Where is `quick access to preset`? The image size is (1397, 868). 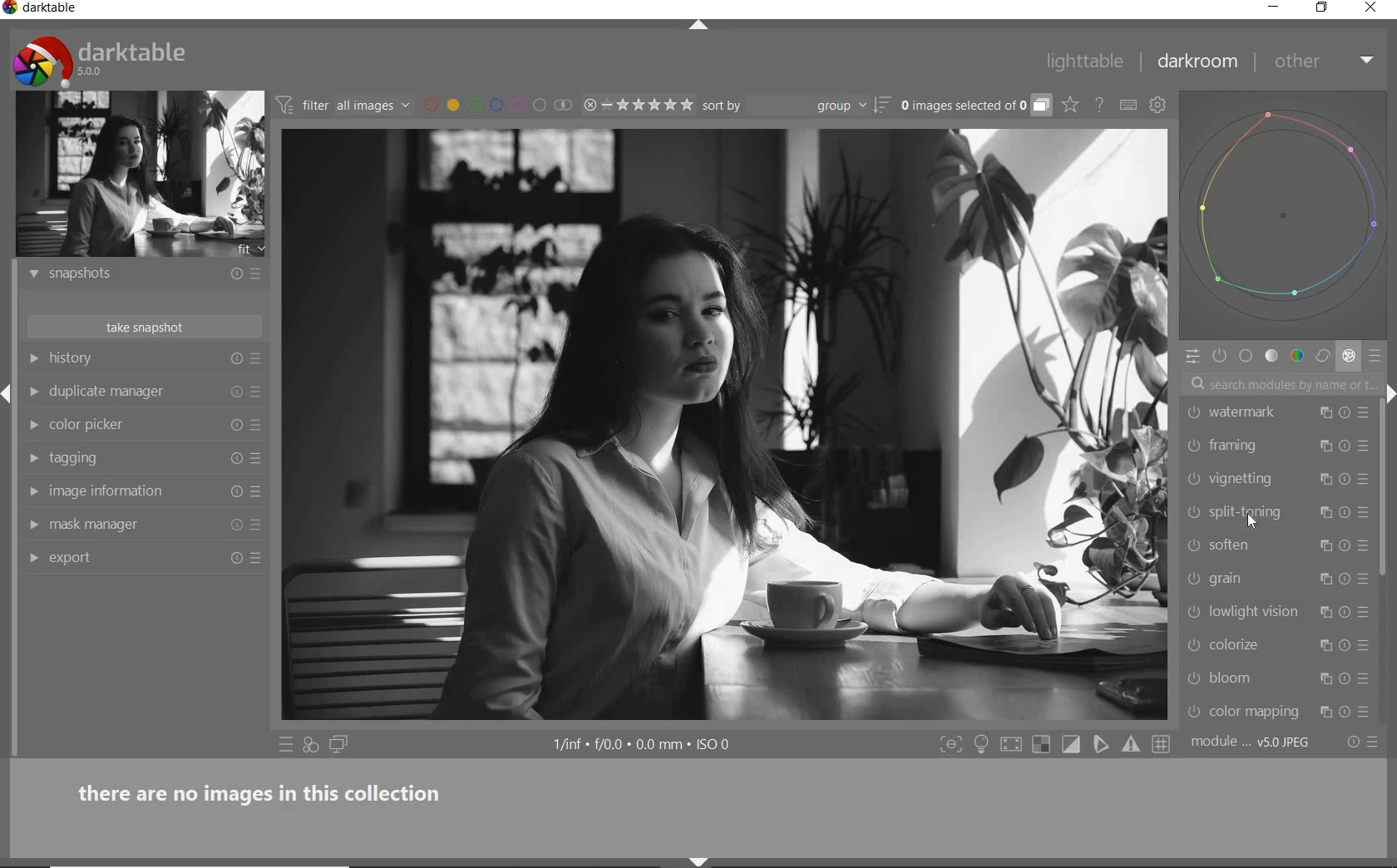 quick access to preset is located at coordinates (286, 744).